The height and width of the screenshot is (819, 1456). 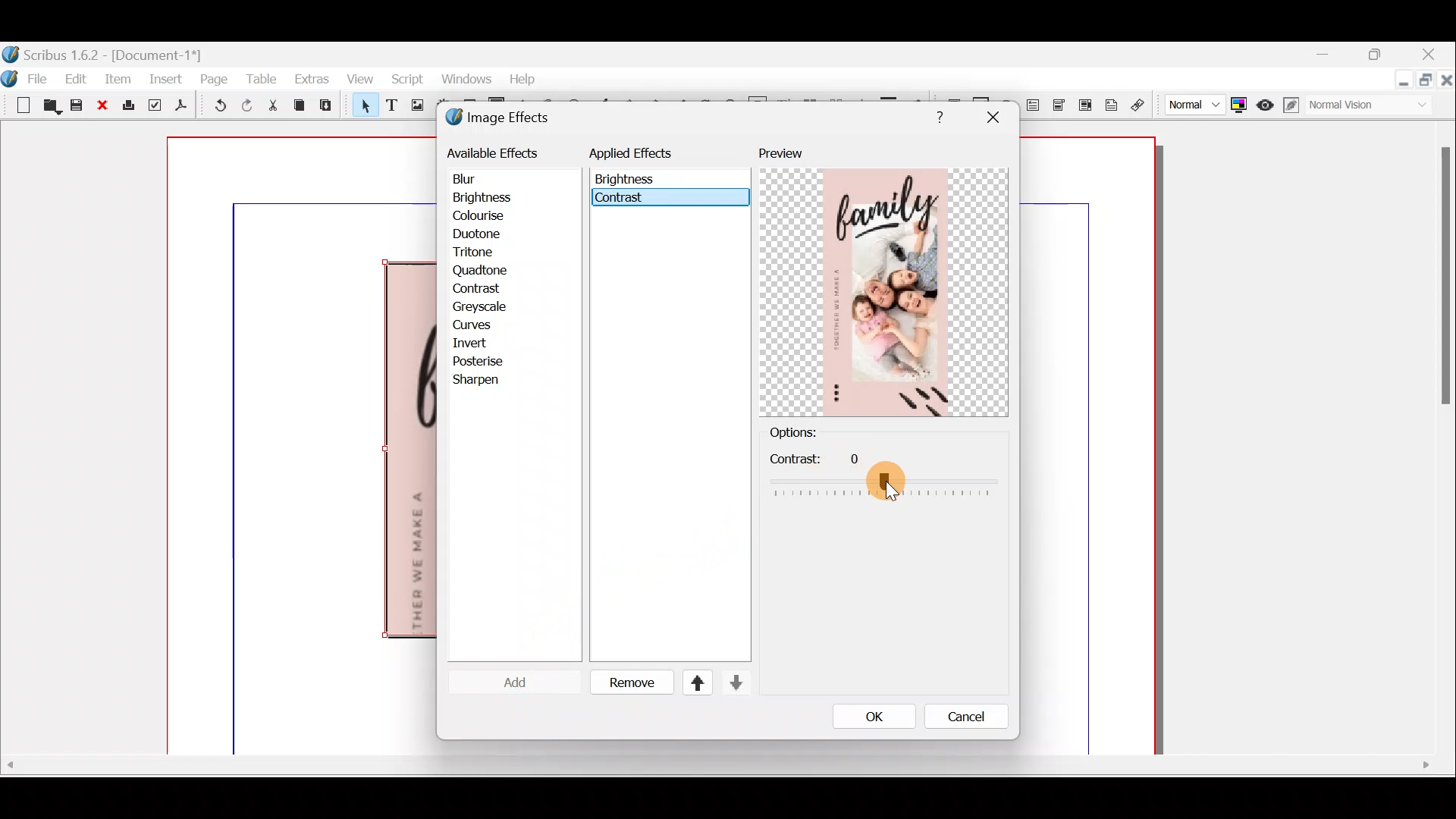 I want to click on New, so click(x=15, y=104).